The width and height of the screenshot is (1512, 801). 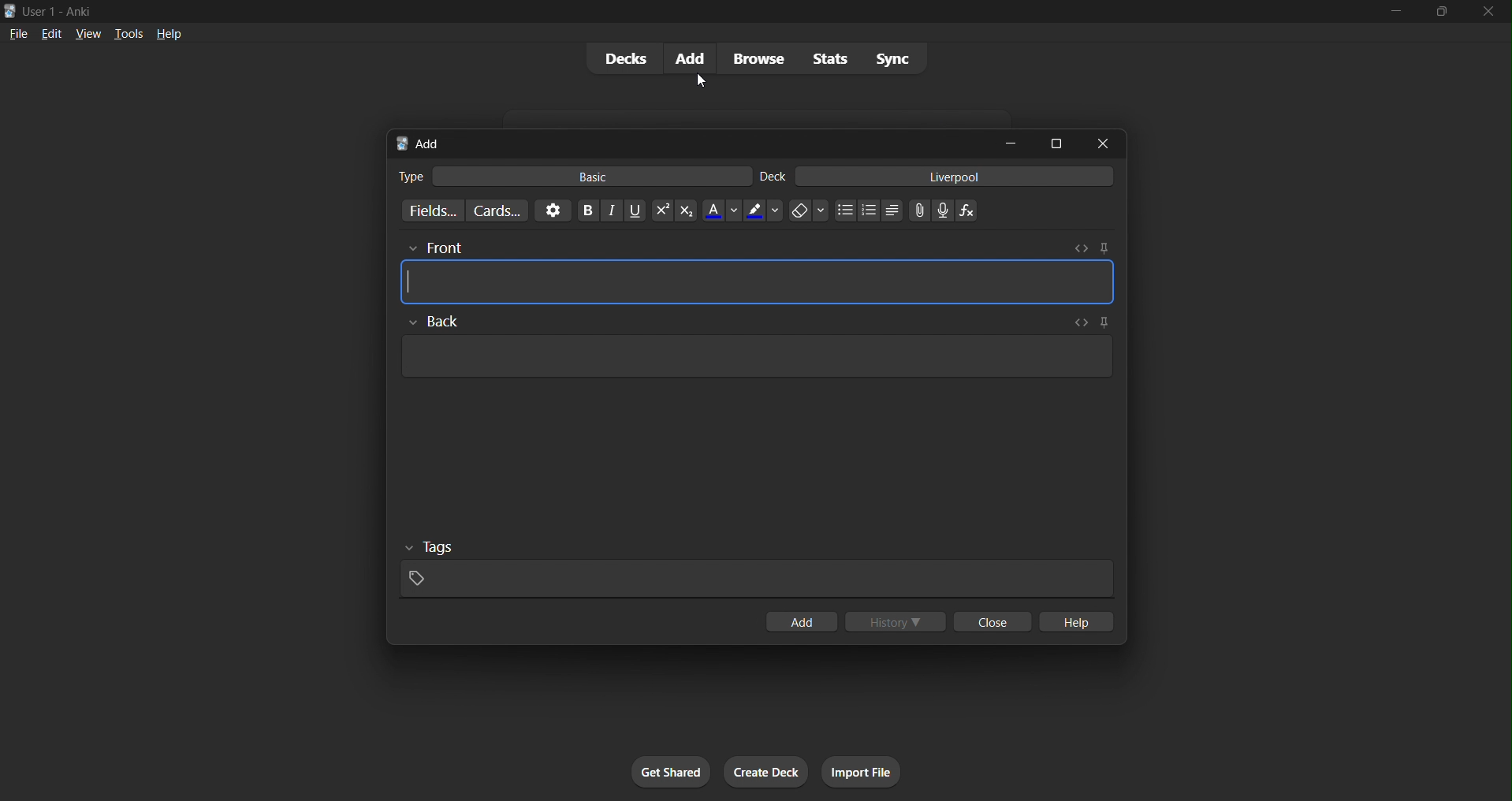 What do you see at coordinates (720, 212) in the screenshot?
I see `text color` at bounding box center [720, 212].